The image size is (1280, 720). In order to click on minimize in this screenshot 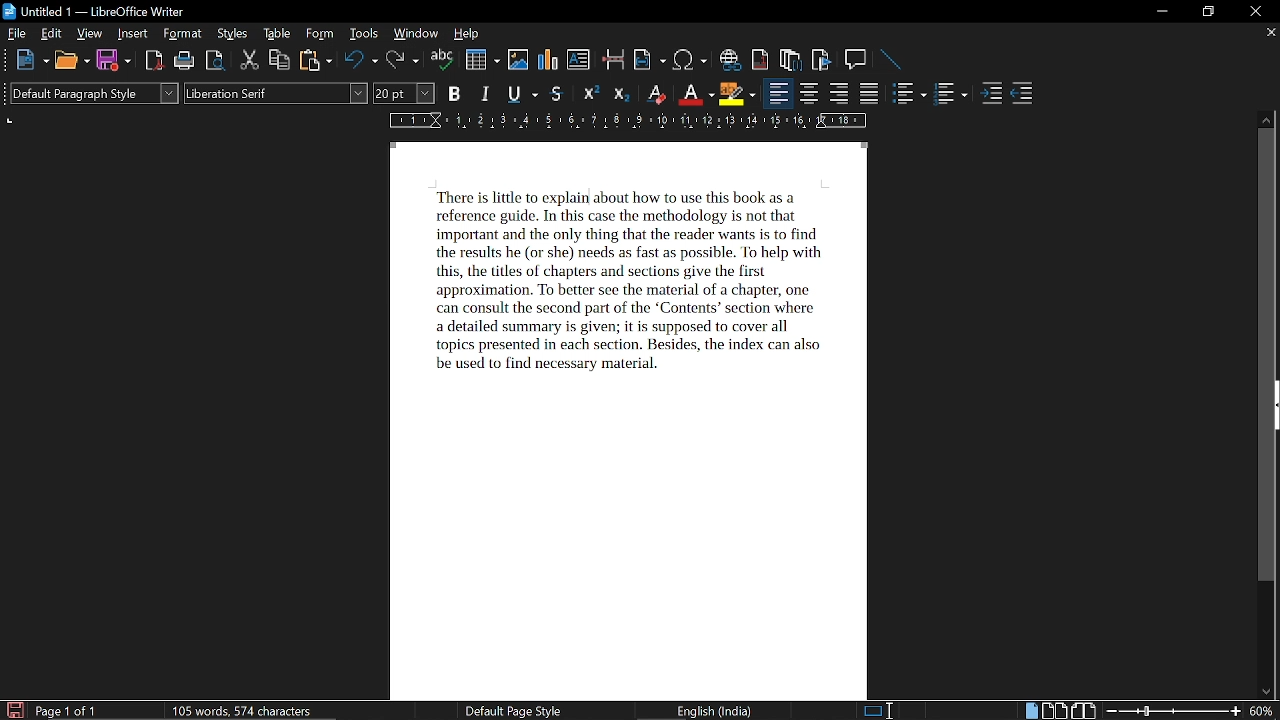, I will do `click(1163, 11)`.